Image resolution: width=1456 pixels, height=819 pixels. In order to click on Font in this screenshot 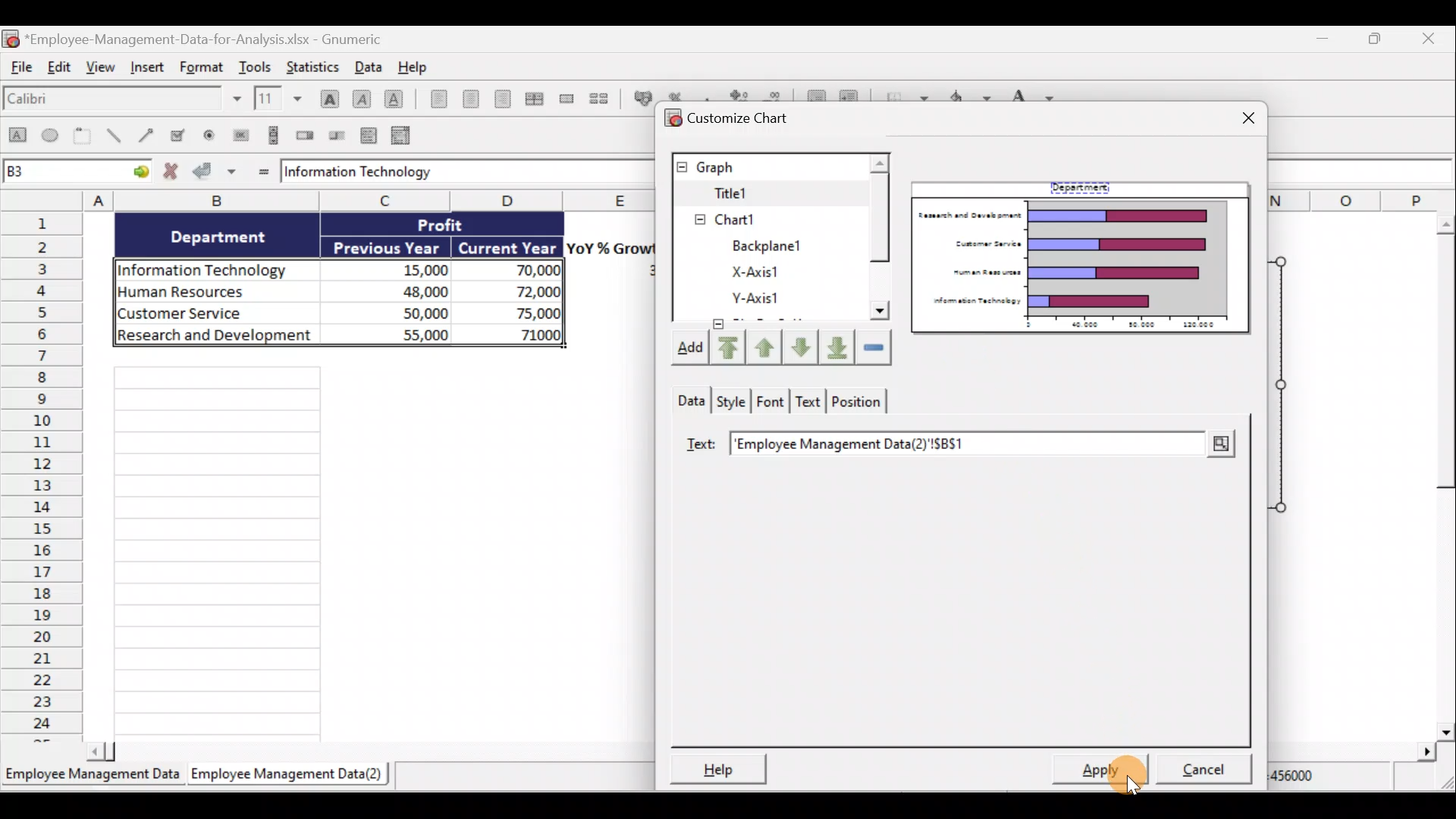, I will do `click(770, 403)`.